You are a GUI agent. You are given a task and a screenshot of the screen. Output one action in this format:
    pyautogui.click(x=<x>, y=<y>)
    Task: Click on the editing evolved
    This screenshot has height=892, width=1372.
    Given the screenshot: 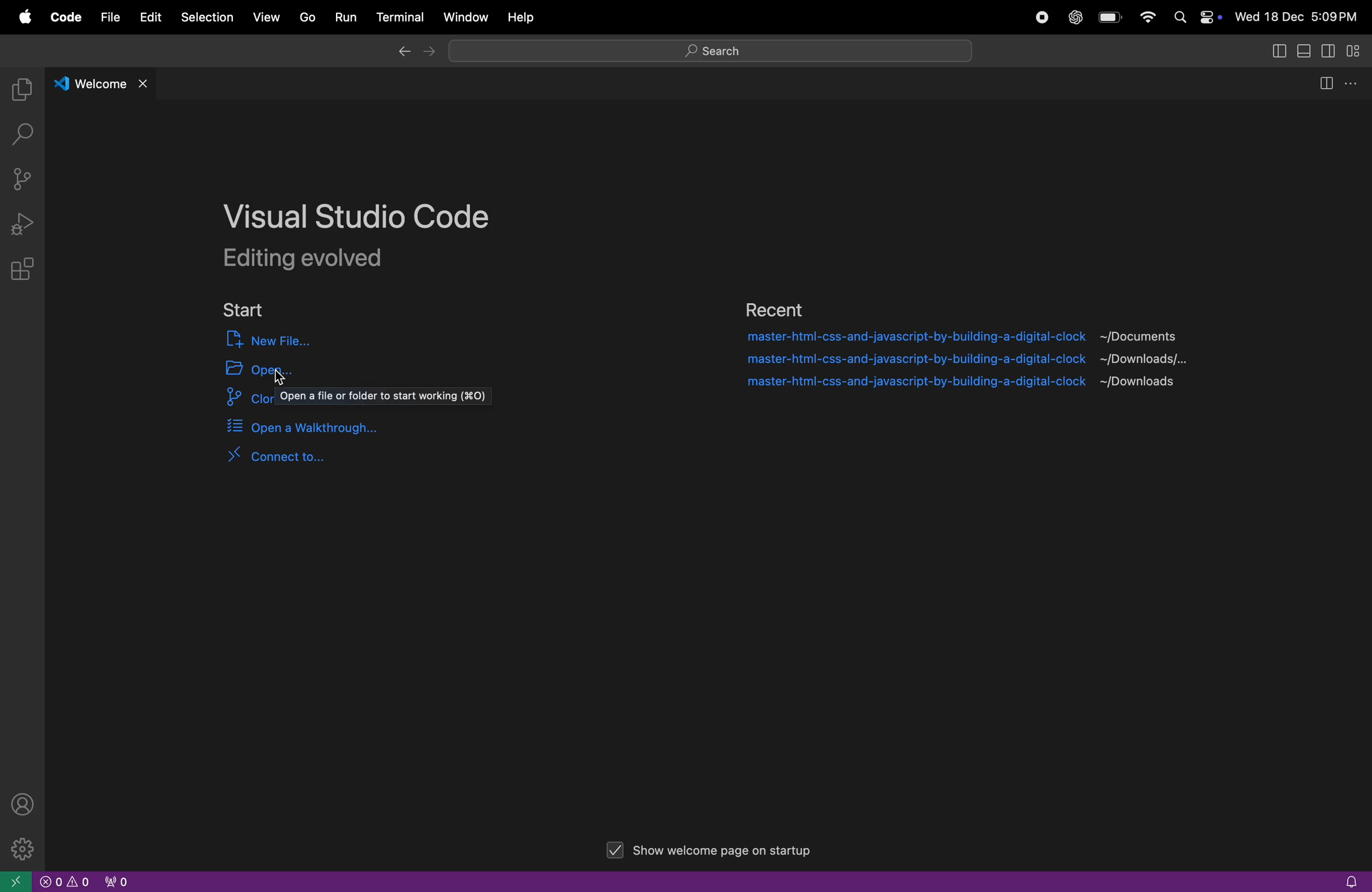 What is the action you would take?
    pyautogui.click(x=318, y=259)
    